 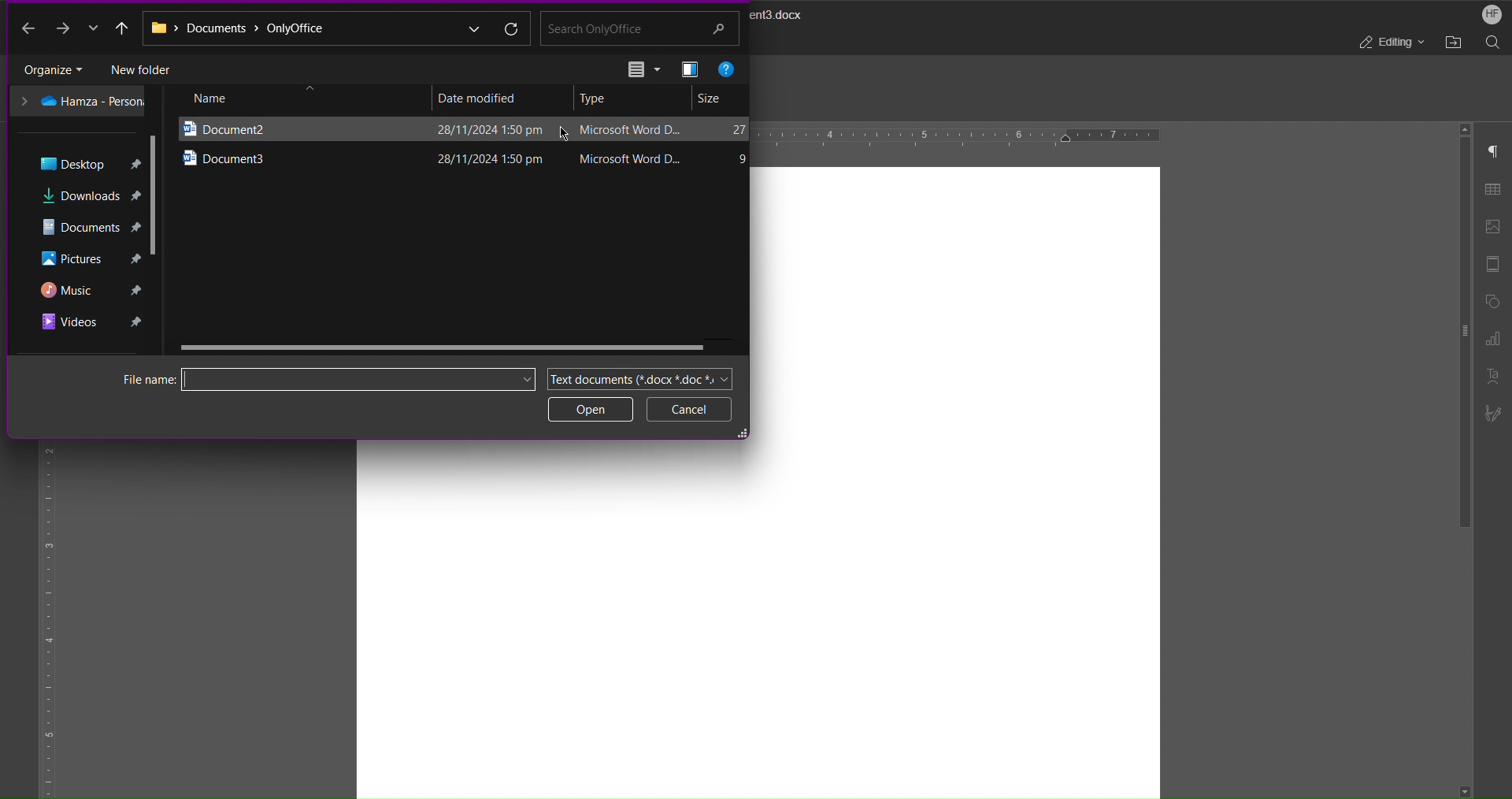 I want to click on 28/11/2024 1:50pm, so click(x=482, y=129).